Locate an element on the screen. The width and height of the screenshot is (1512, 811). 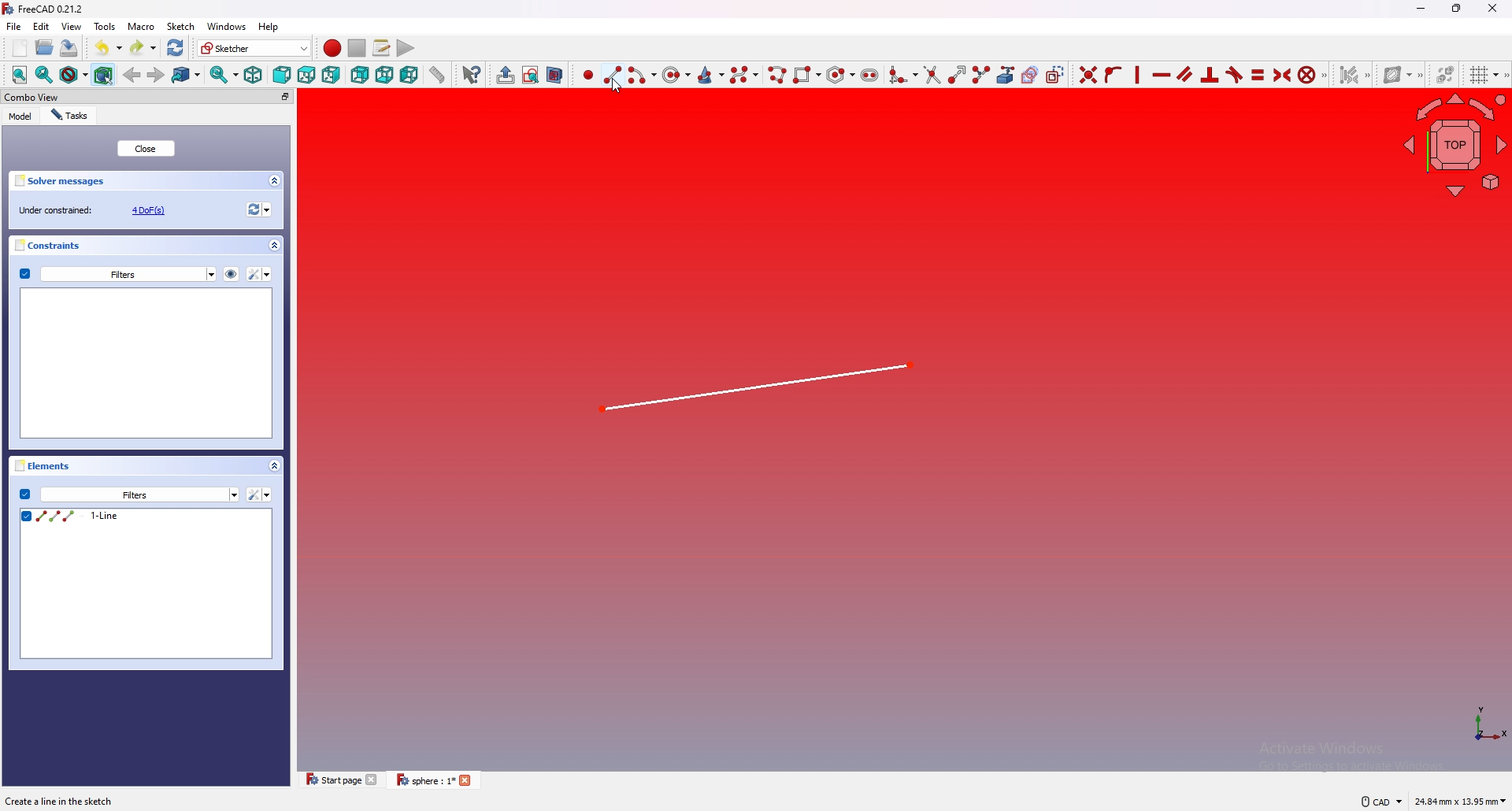
Undo is located at coordinates (109, 46).